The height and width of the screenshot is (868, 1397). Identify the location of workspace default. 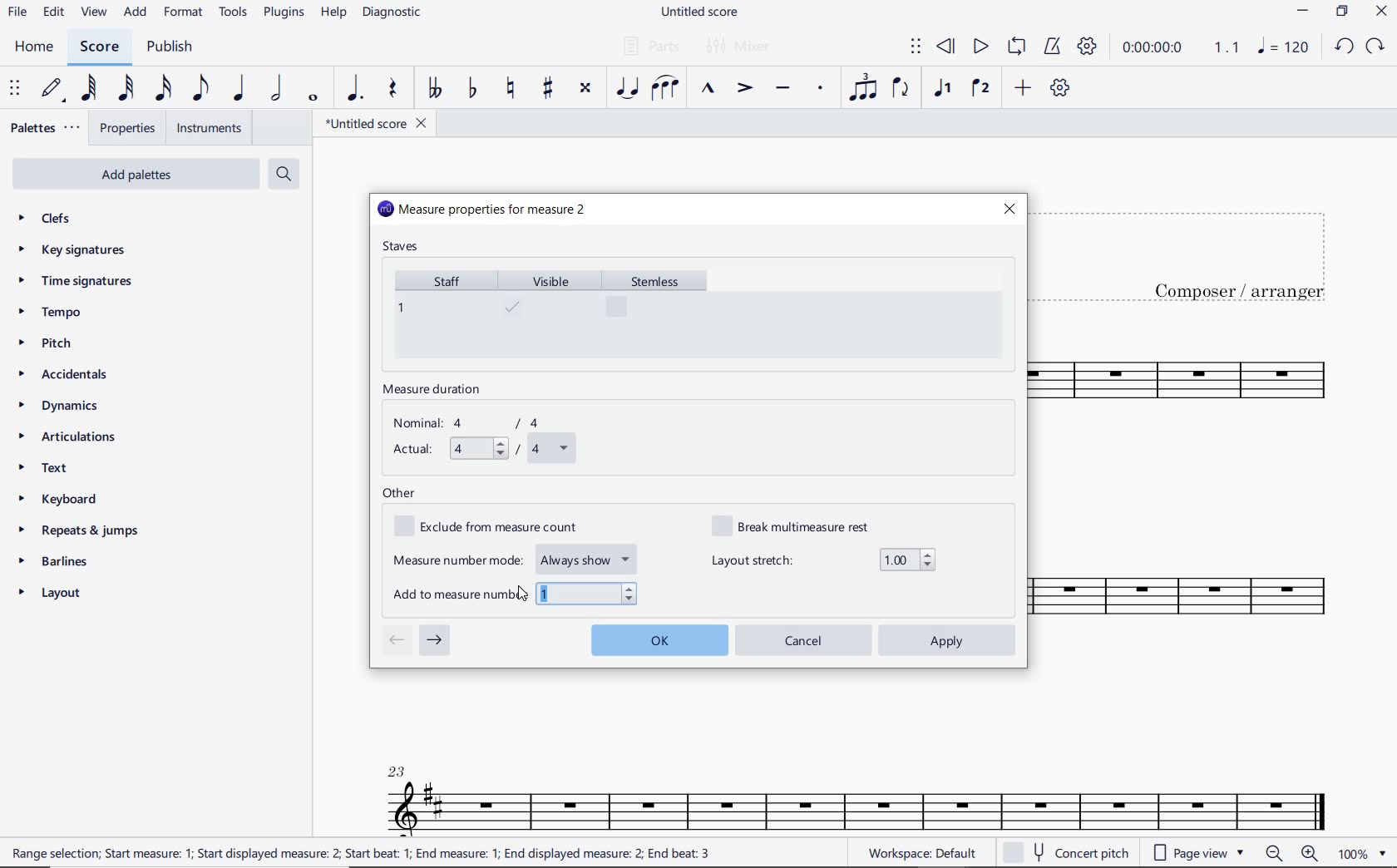
(921, 855).